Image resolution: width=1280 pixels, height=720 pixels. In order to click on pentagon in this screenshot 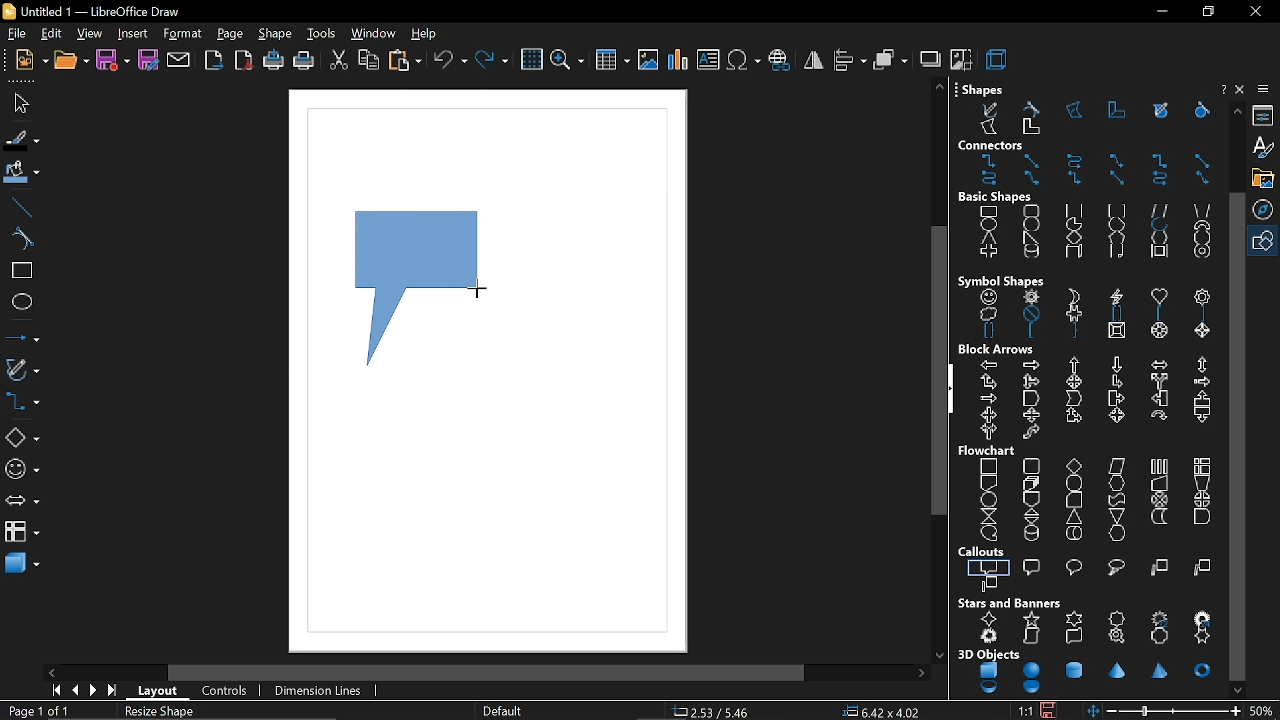, I will do `click(1031, 398)`.